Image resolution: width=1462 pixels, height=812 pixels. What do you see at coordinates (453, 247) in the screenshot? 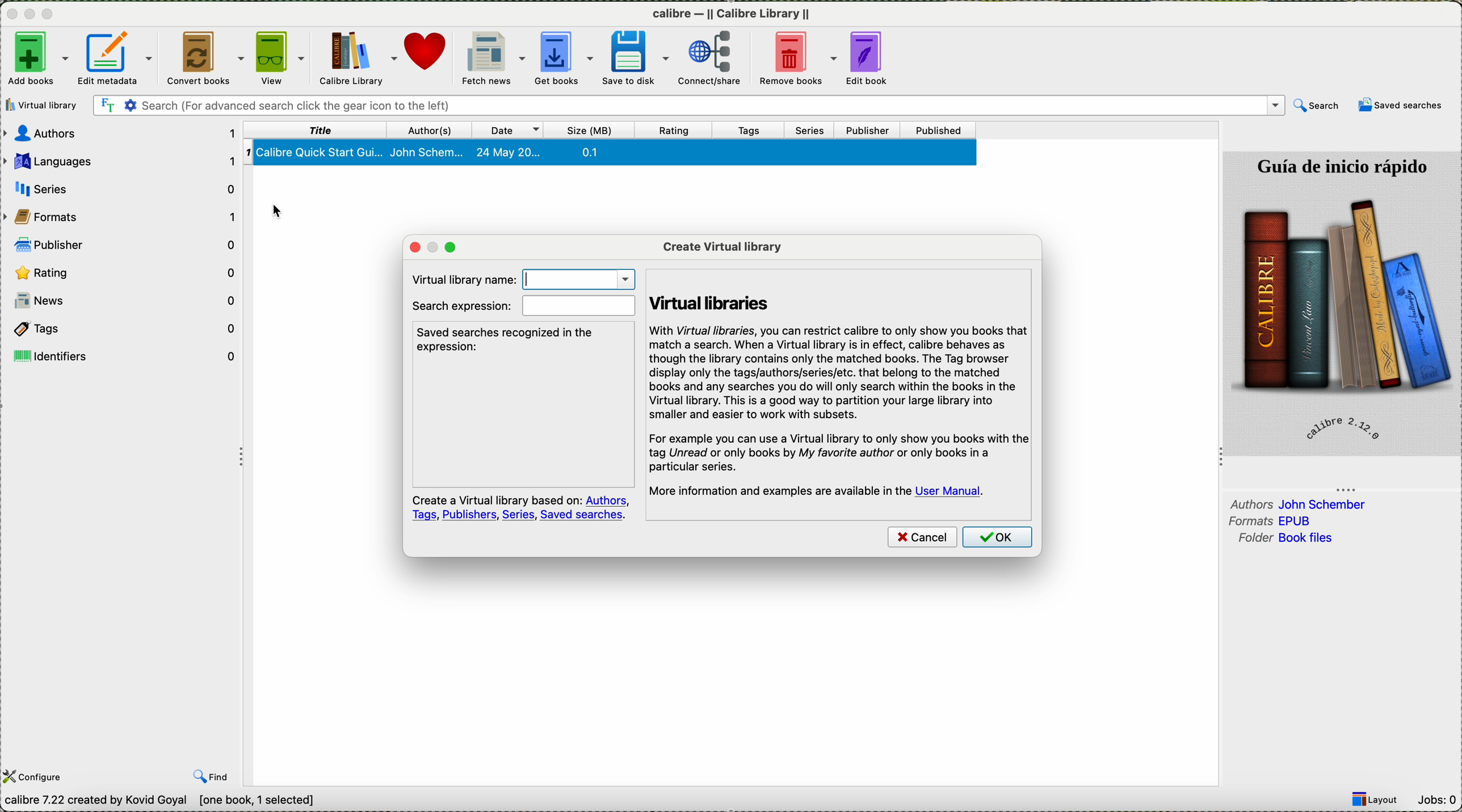
I see `maximize popup` at bounding box center [453, 247].